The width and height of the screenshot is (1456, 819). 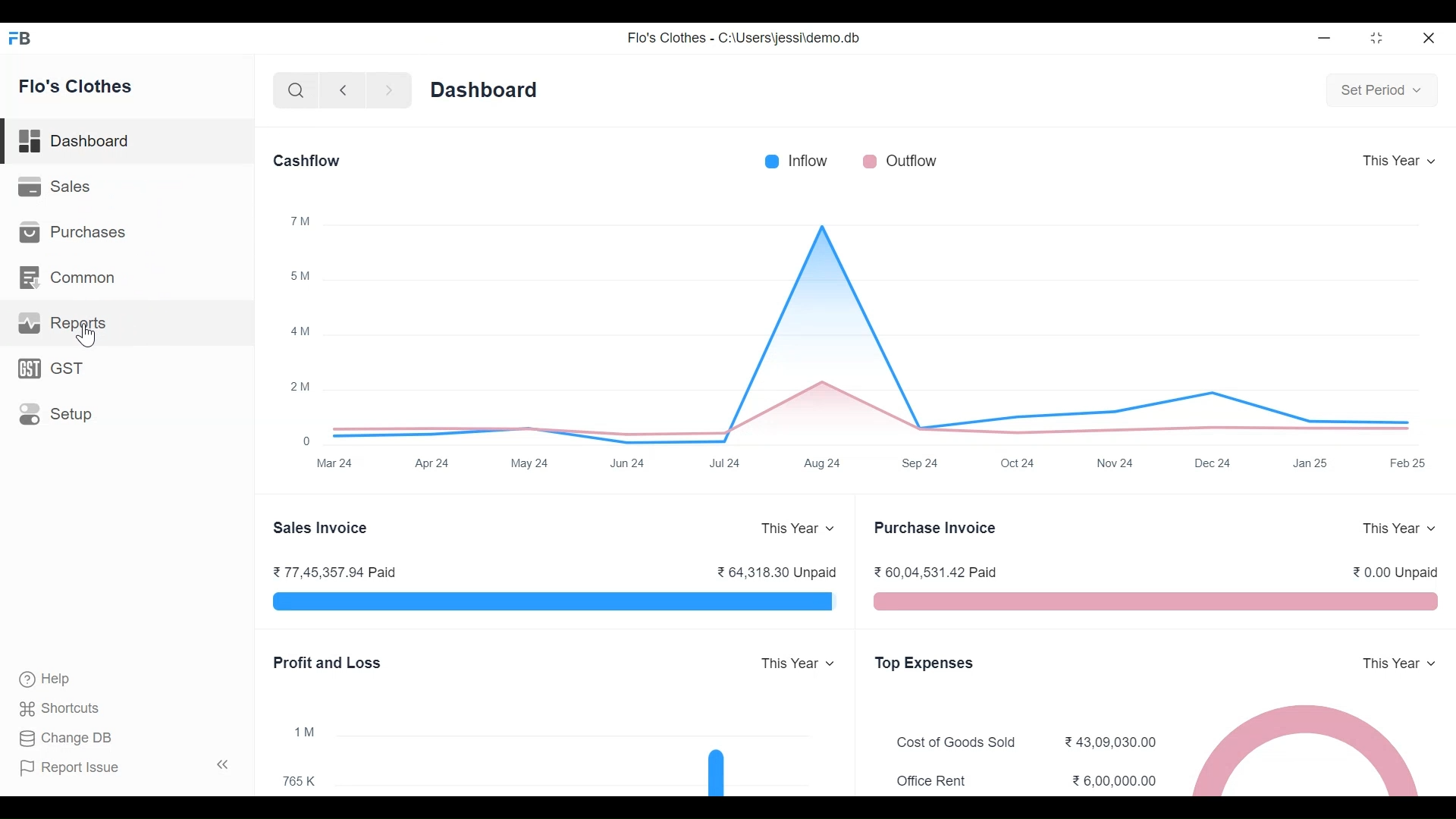 What do you see at coordinates (911, 160) in the screenshot?
I see `Outflow` at bounding box center [911, 160].